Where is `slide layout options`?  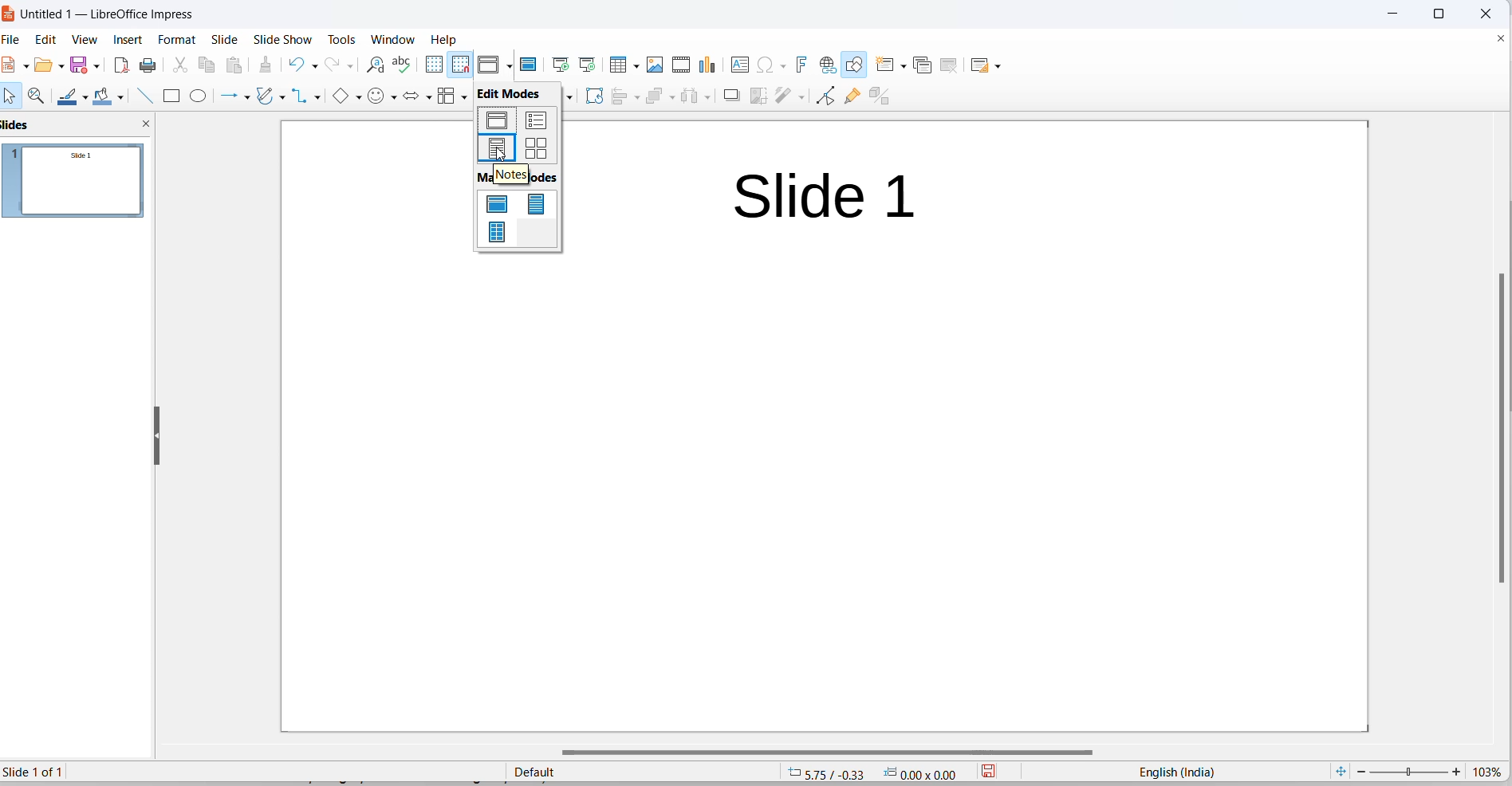 slide layout options is located at coordinates (1000, 65).